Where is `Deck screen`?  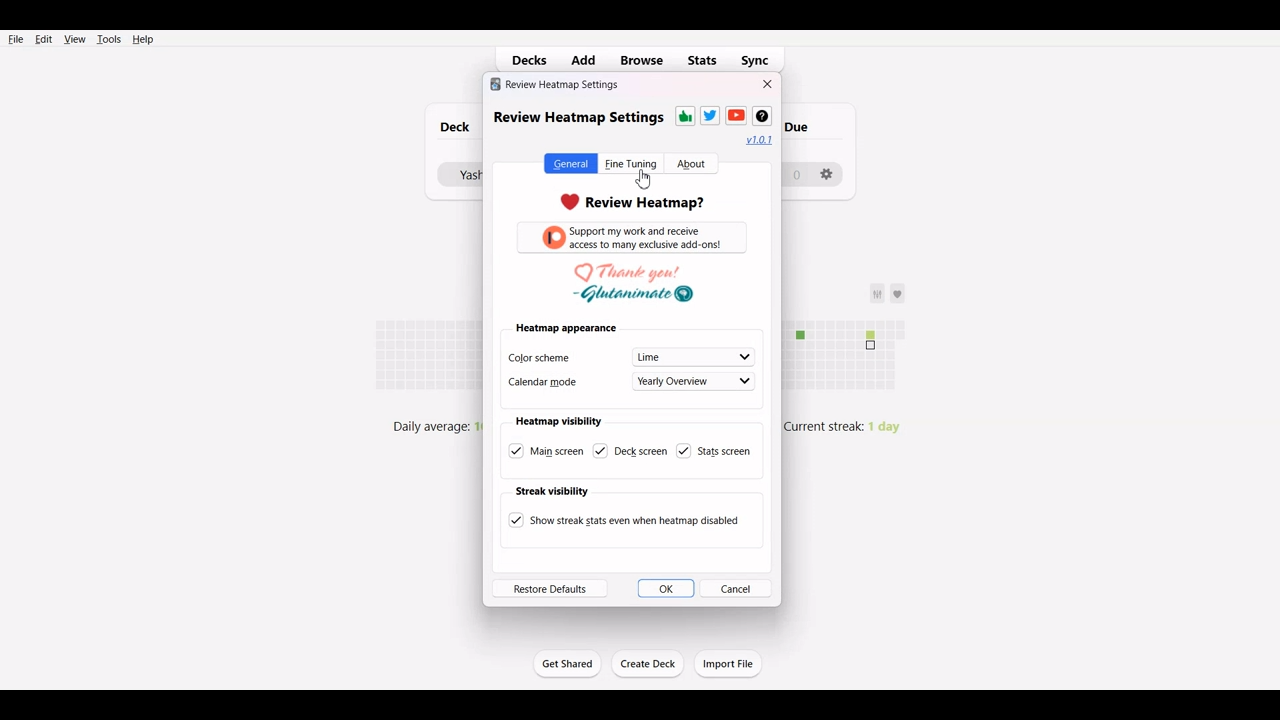
Deck screen is located at coordinates (627, 450).